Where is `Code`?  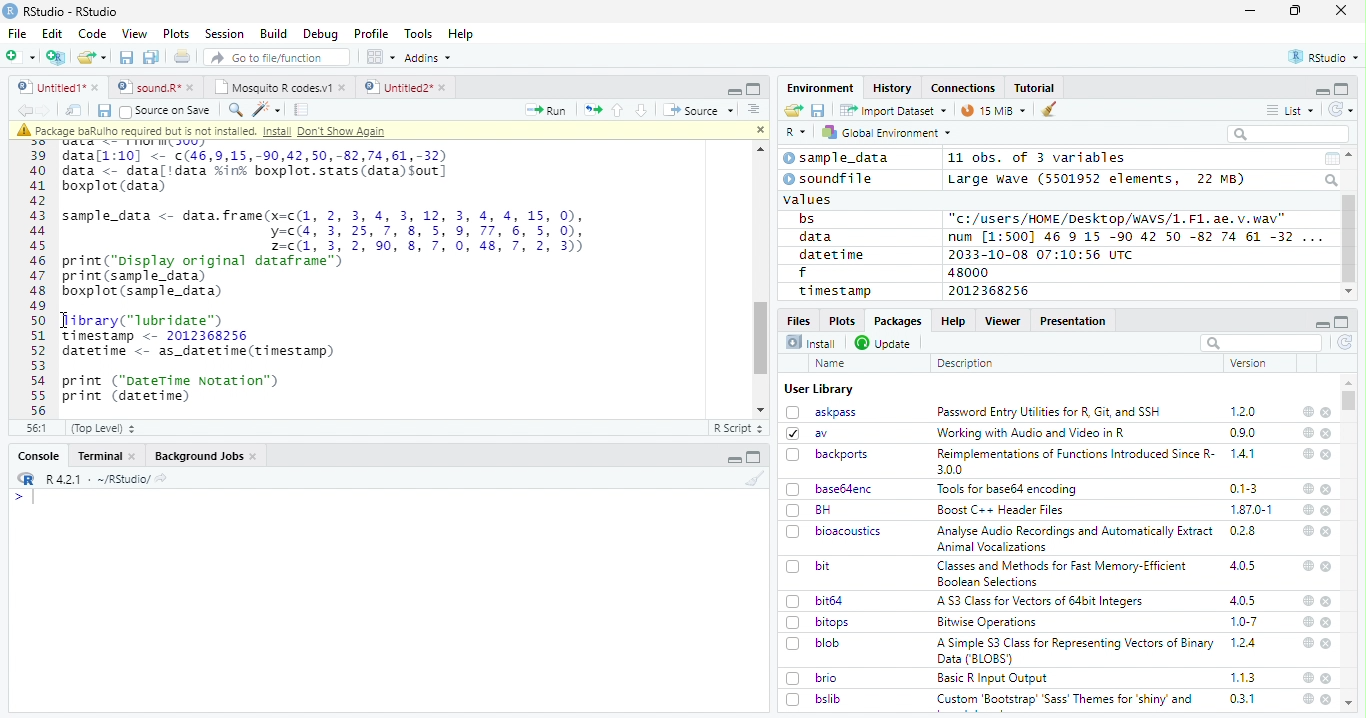
Code is located at coordinates (91, 34).